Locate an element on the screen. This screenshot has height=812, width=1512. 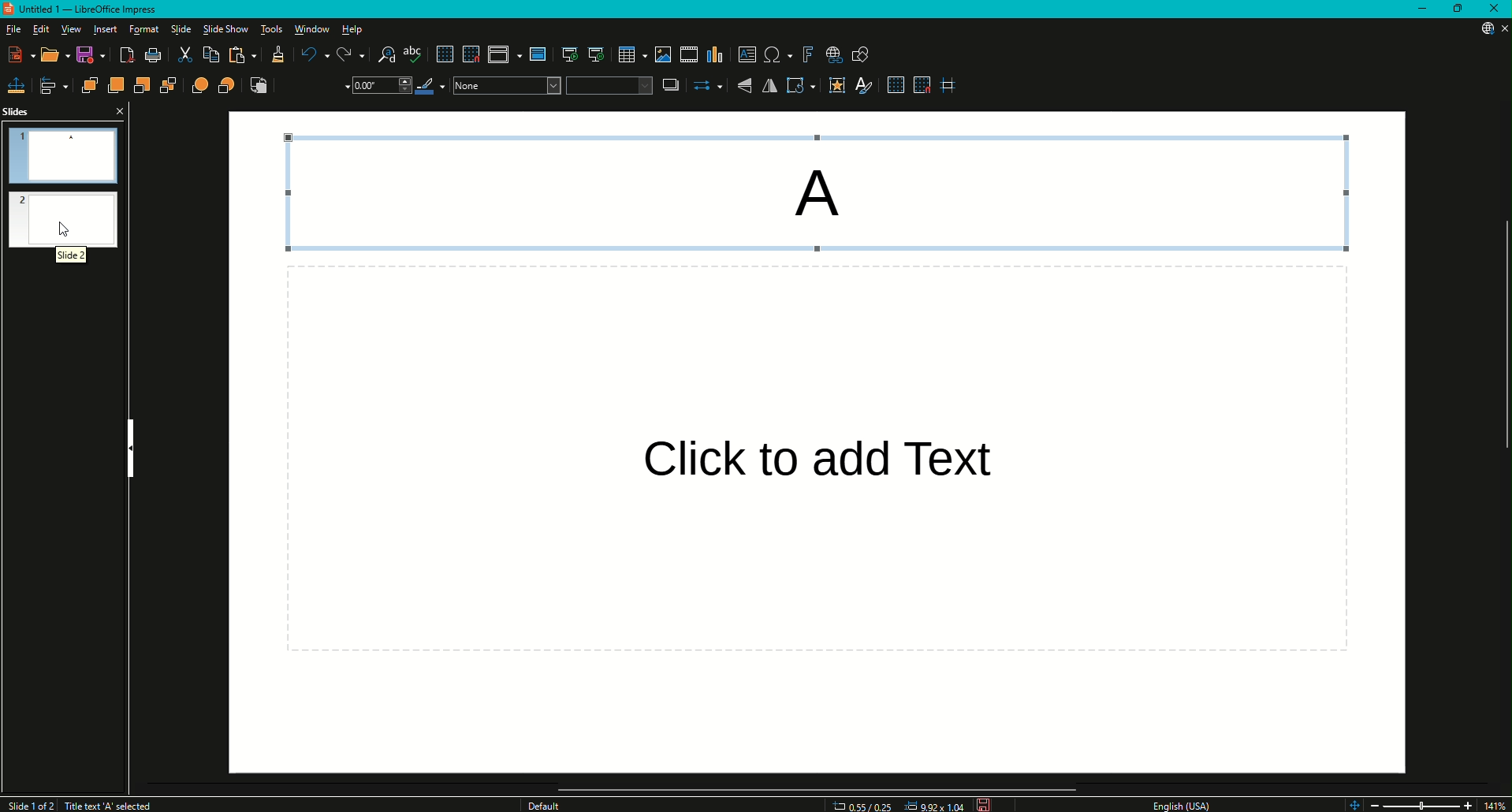
Show Draw Function is located at coordinates (859, 54).